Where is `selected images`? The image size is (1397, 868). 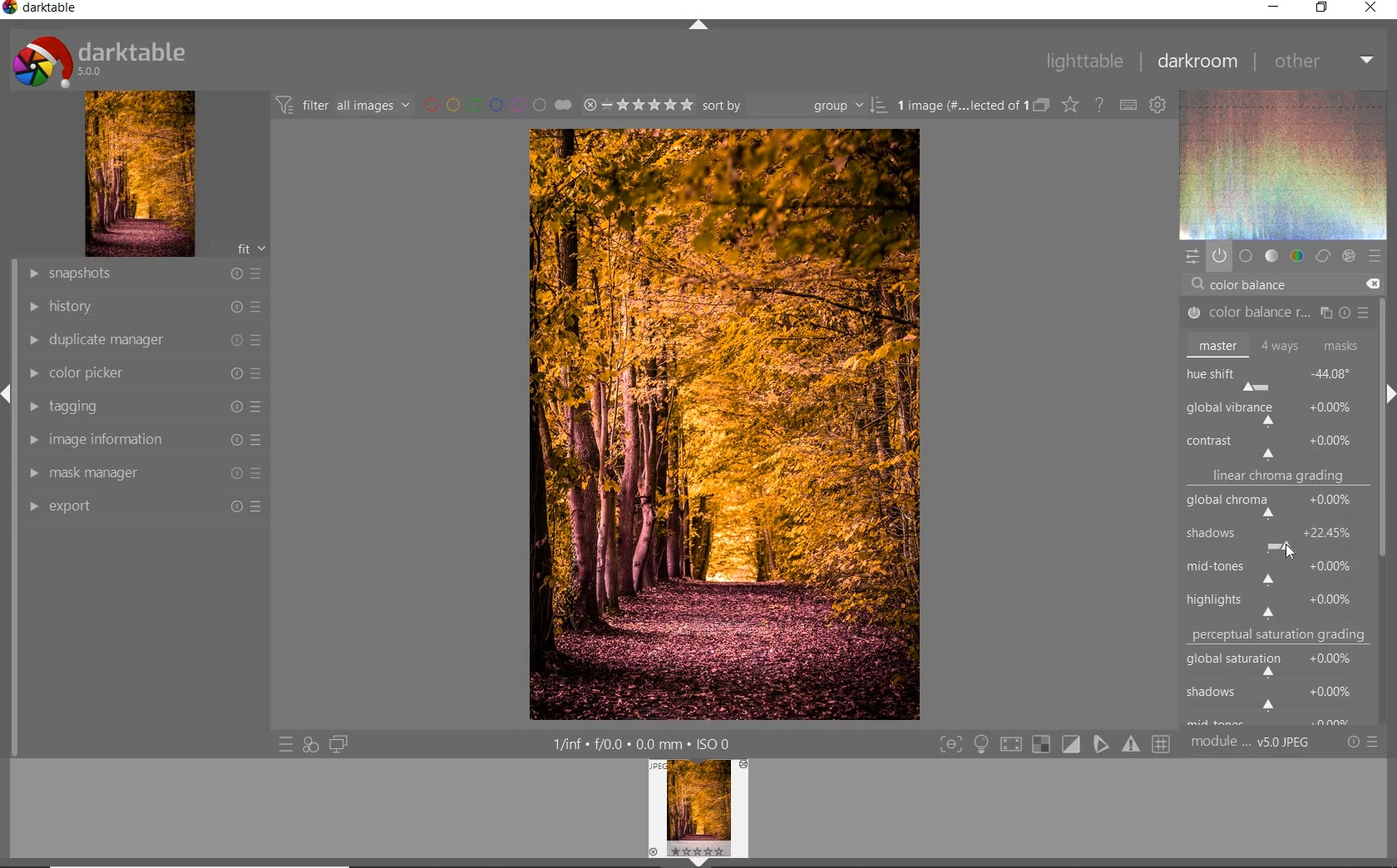
selected images is located at coordinates (959, 106).